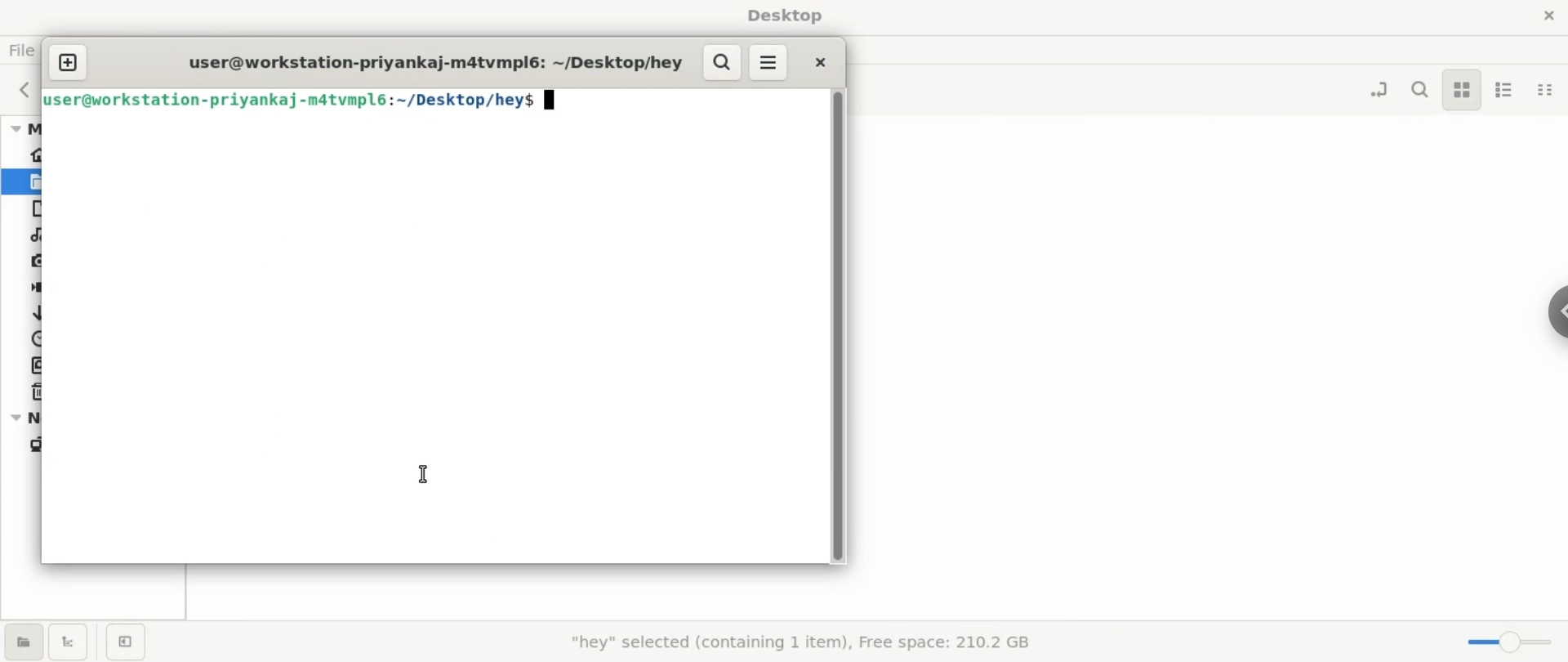 This screenshot has width=1568, height=662. I want to click on compact view, so click(1545, 87).